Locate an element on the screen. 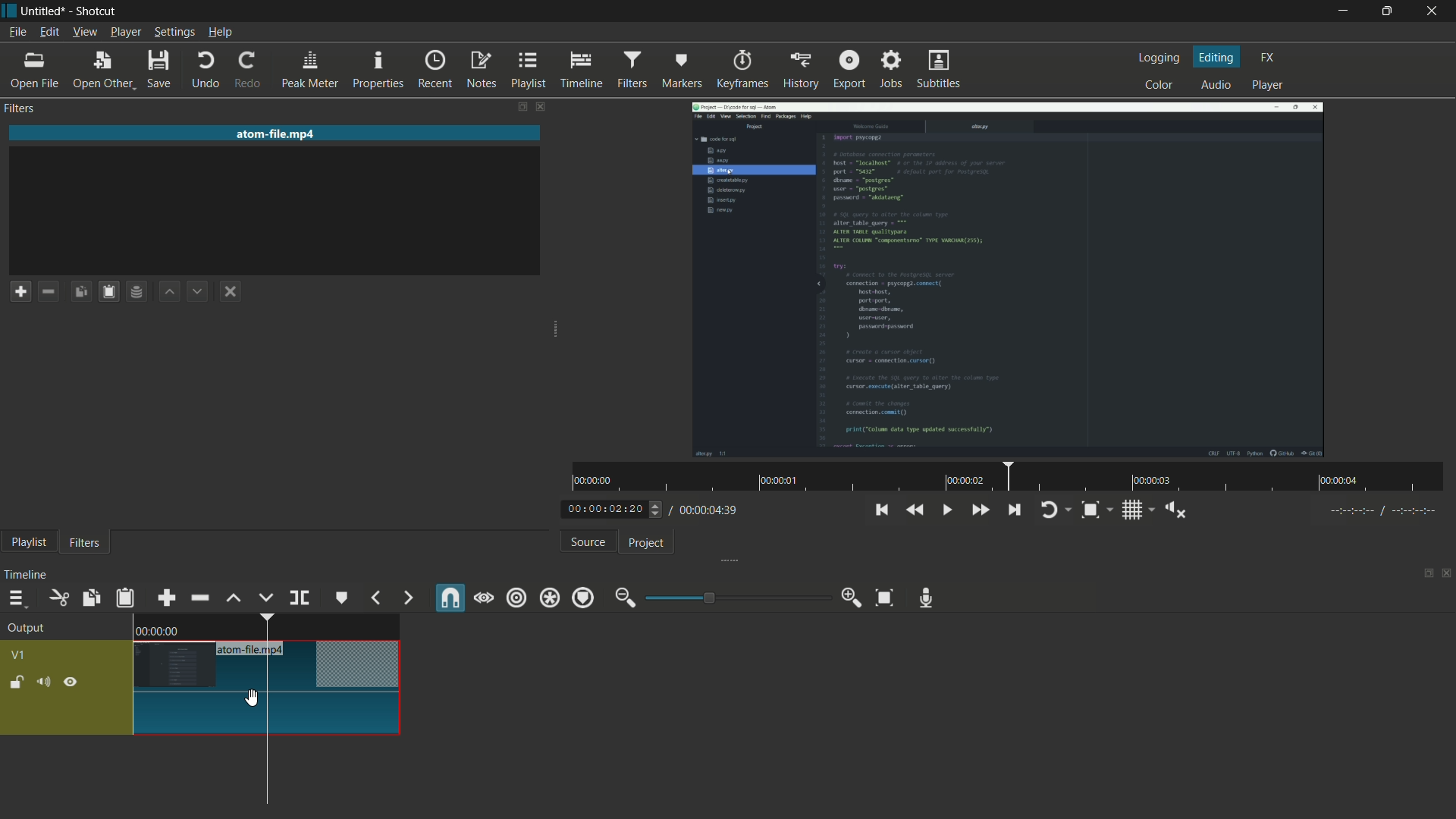 The height and width of the screenshot is (819, 1456). filters is located at coordinates (87, 543).